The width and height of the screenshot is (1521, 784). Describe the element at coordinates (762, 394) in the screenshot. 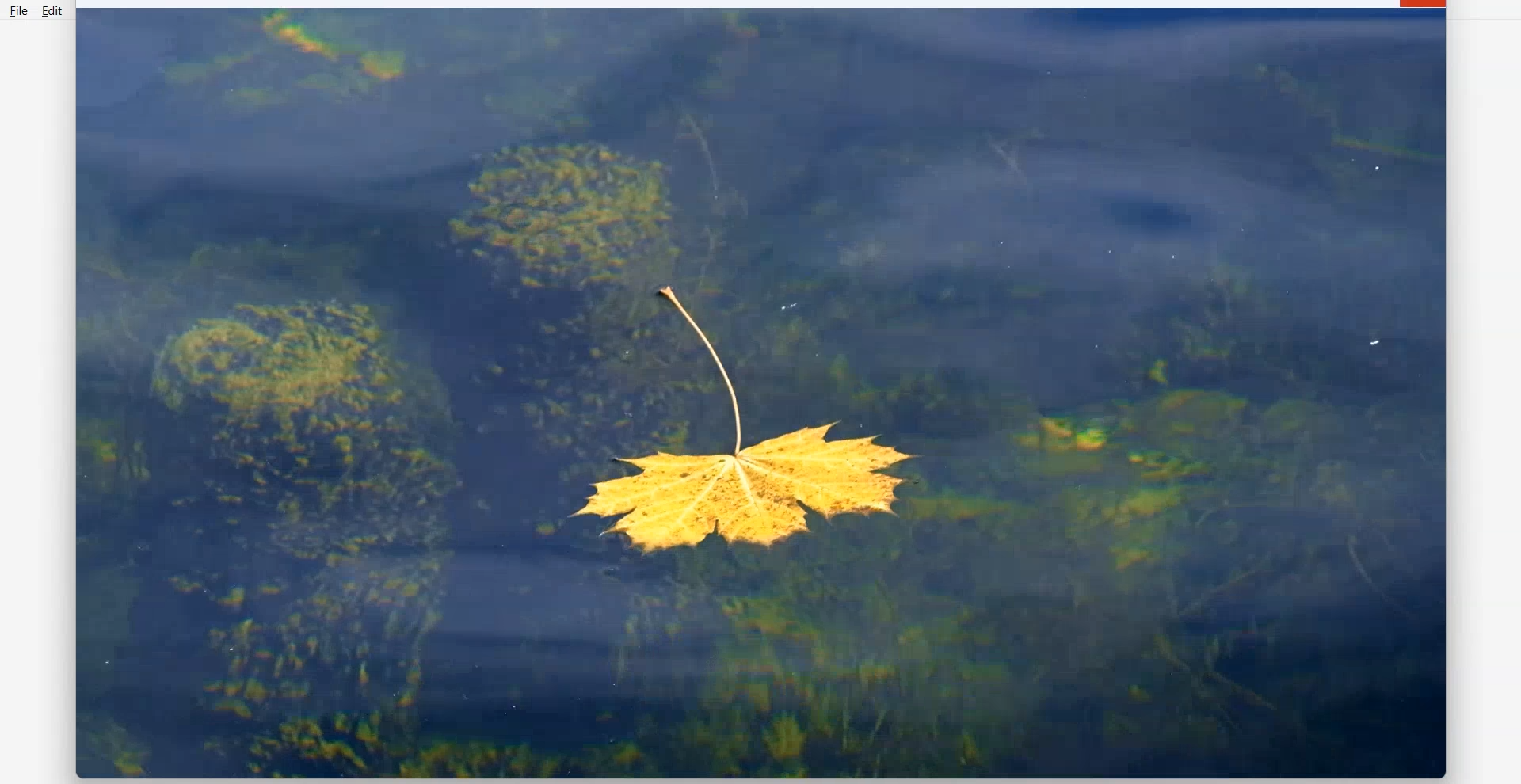

I see `Video file` at that location.